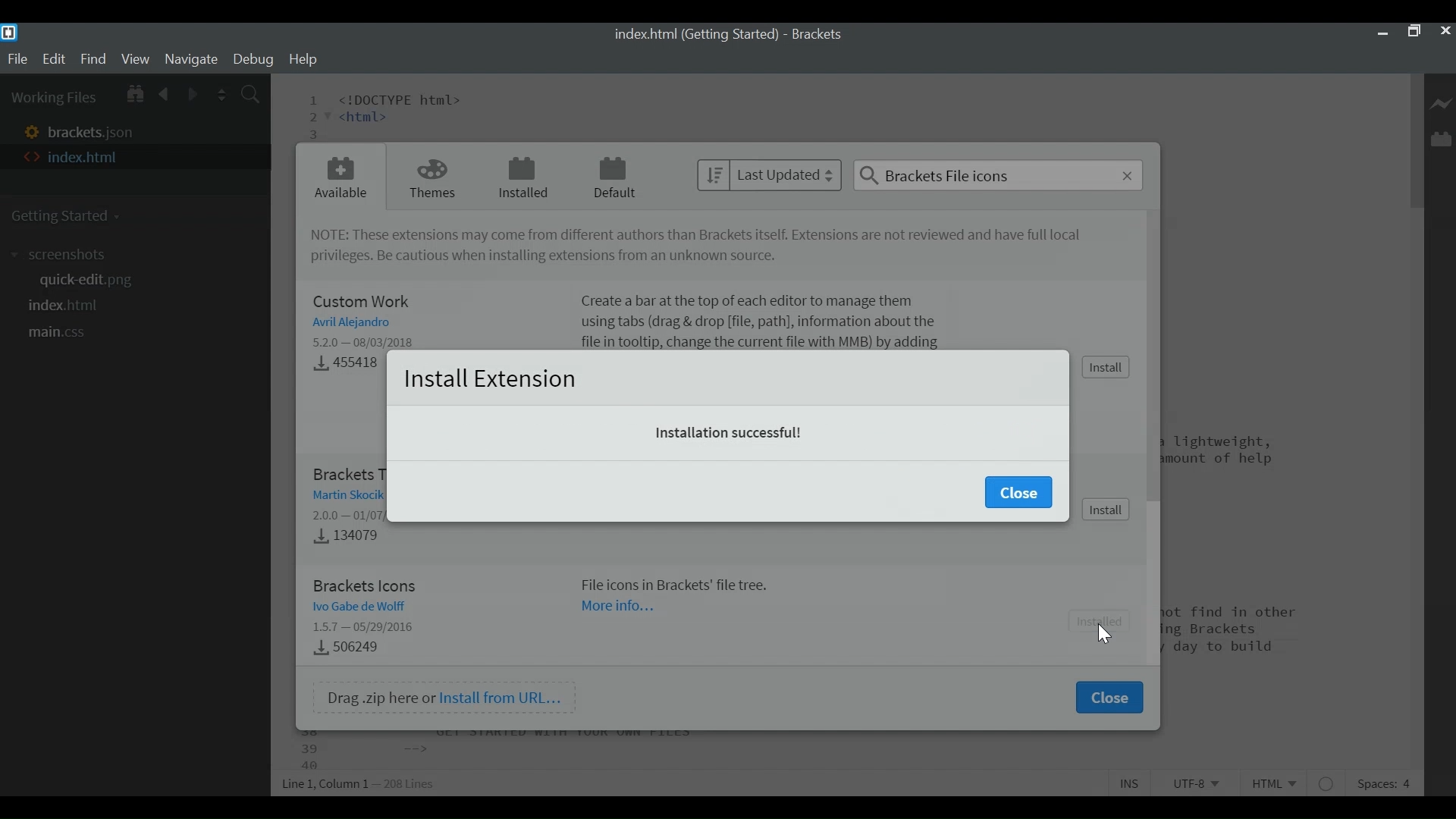  I want to click on main.css, so click(66, 334).